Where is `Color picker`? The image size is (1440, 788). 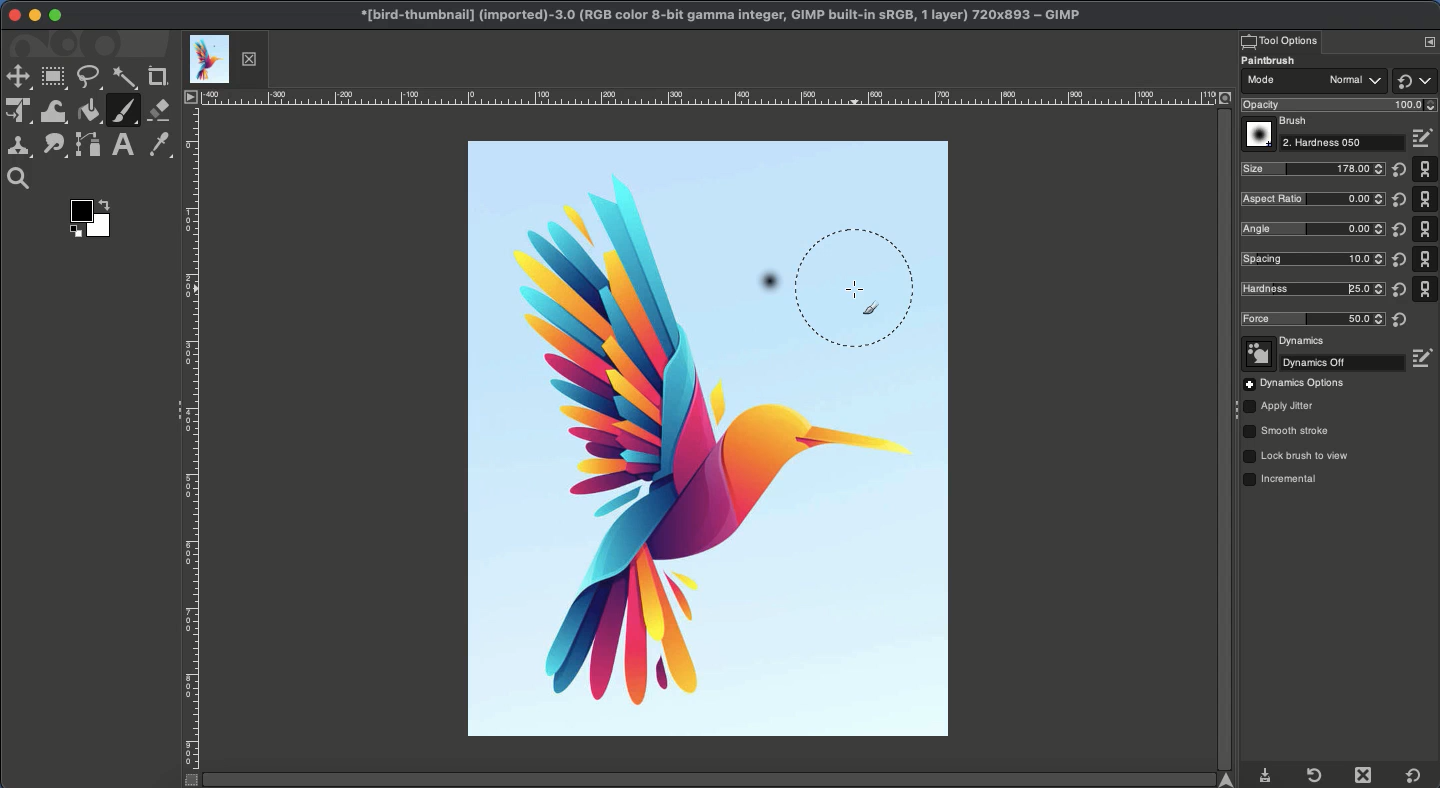 Color picker is located at coordinates (157, 145).